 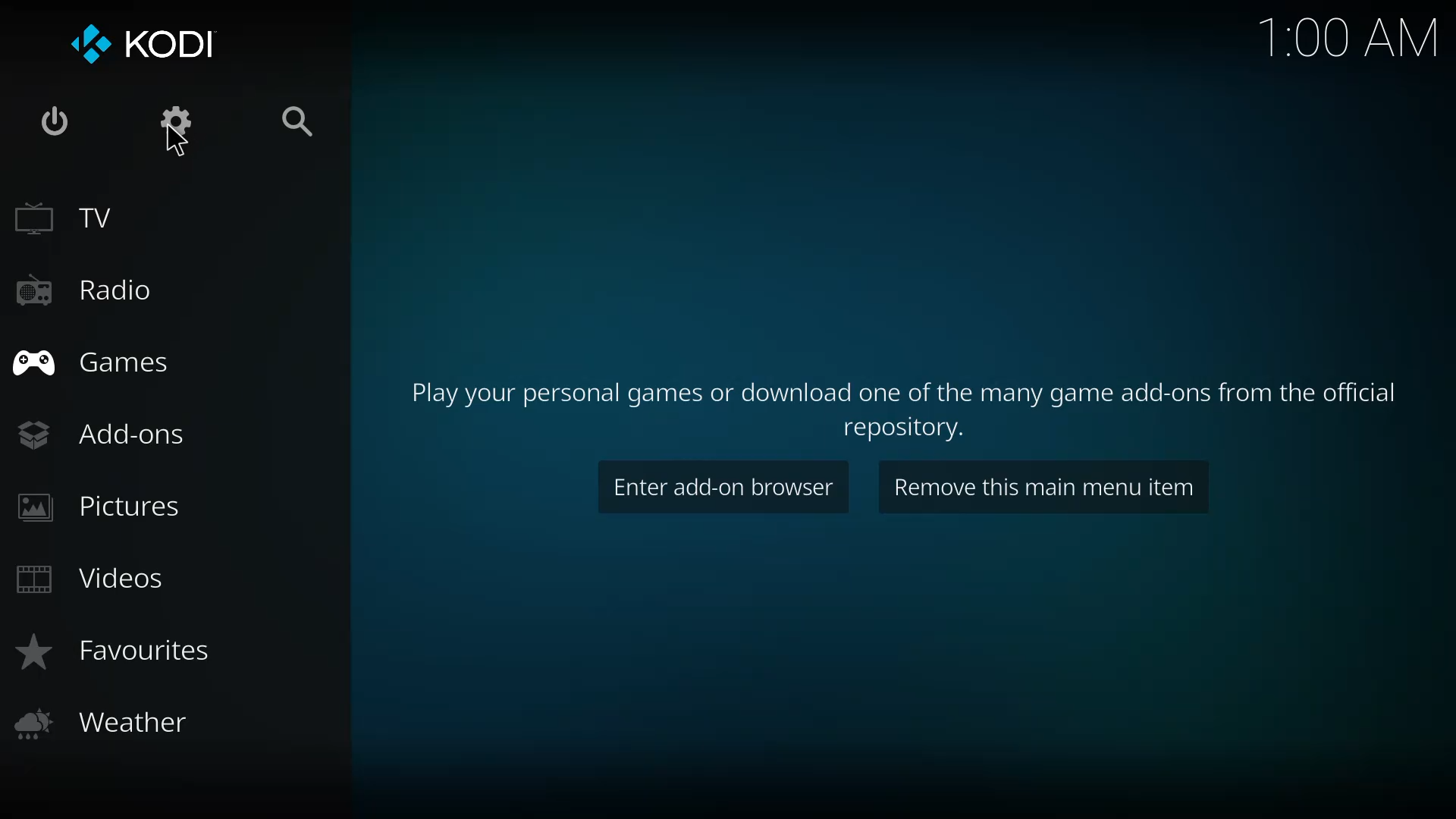 What do you see at coordinates (107, 434) in the screenshot?
I see `add-ons` at bounding box center [107, 434].